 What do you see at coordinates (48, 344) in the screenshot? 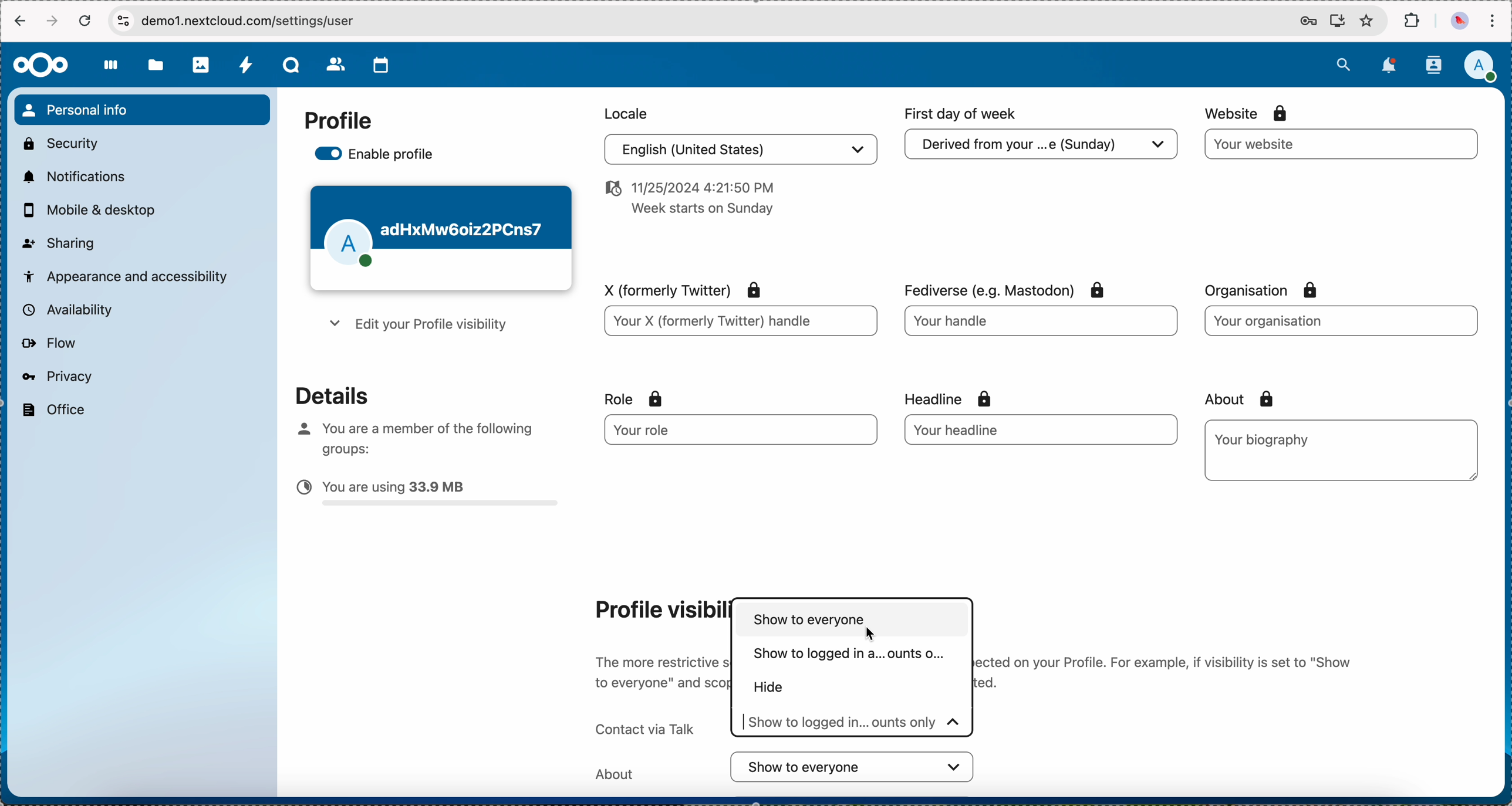
I see `flow` at bounding box center [48, 344].